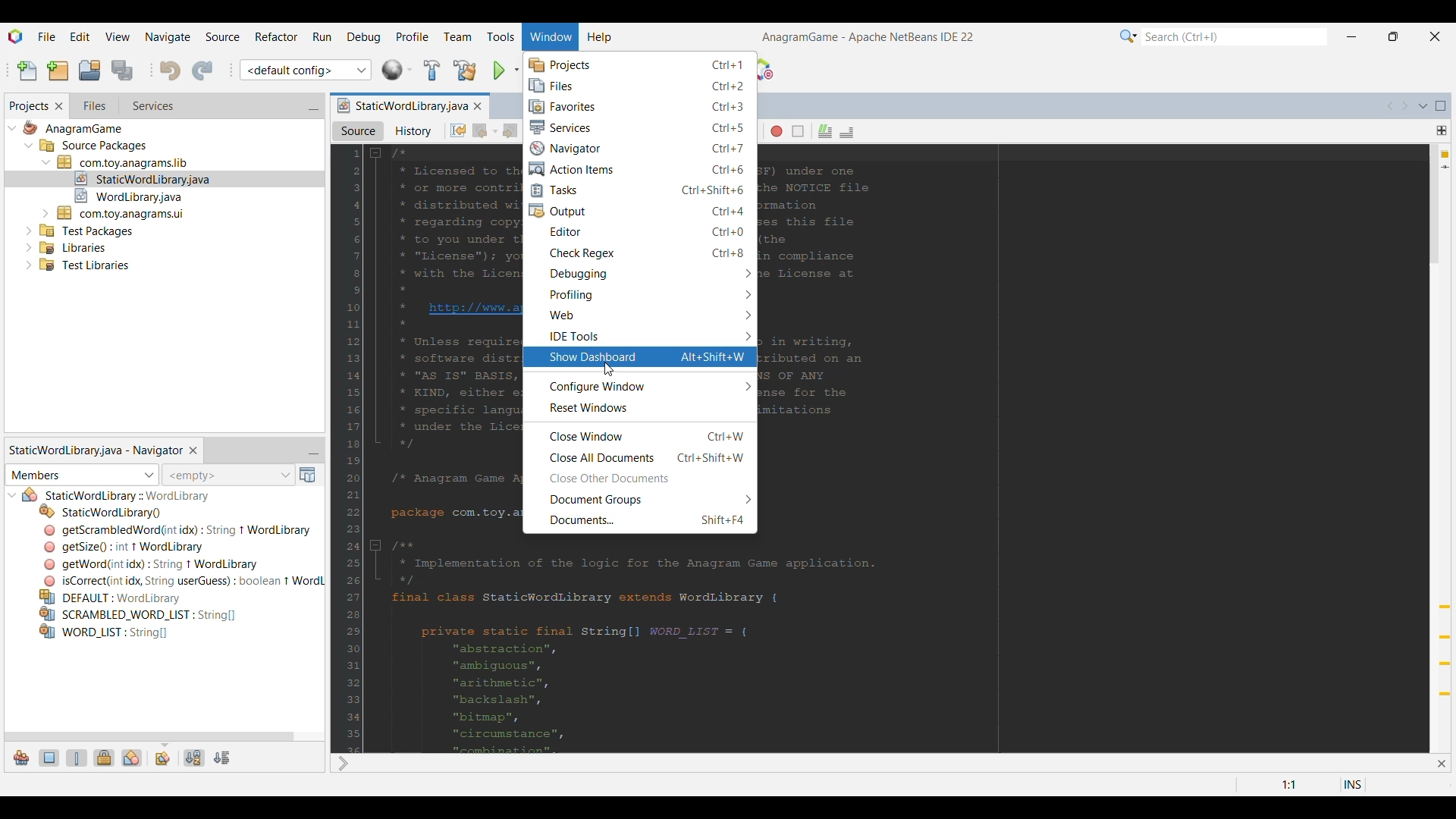  What do you see at coordinates (466, 71) in the screenshot?
I see `Clean and build project` at bounding box center [466, 71].